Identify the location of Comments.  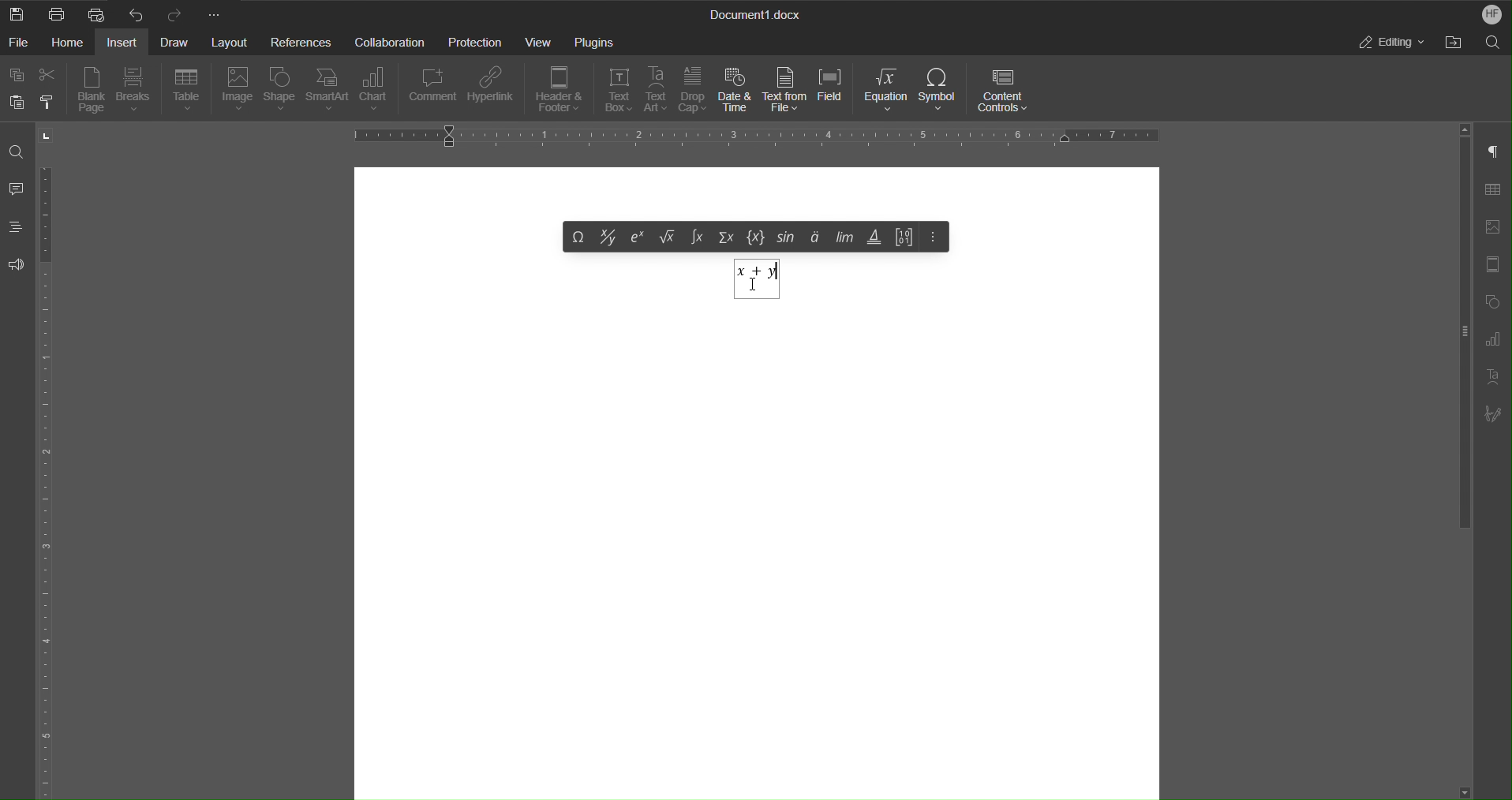
(14, 194).